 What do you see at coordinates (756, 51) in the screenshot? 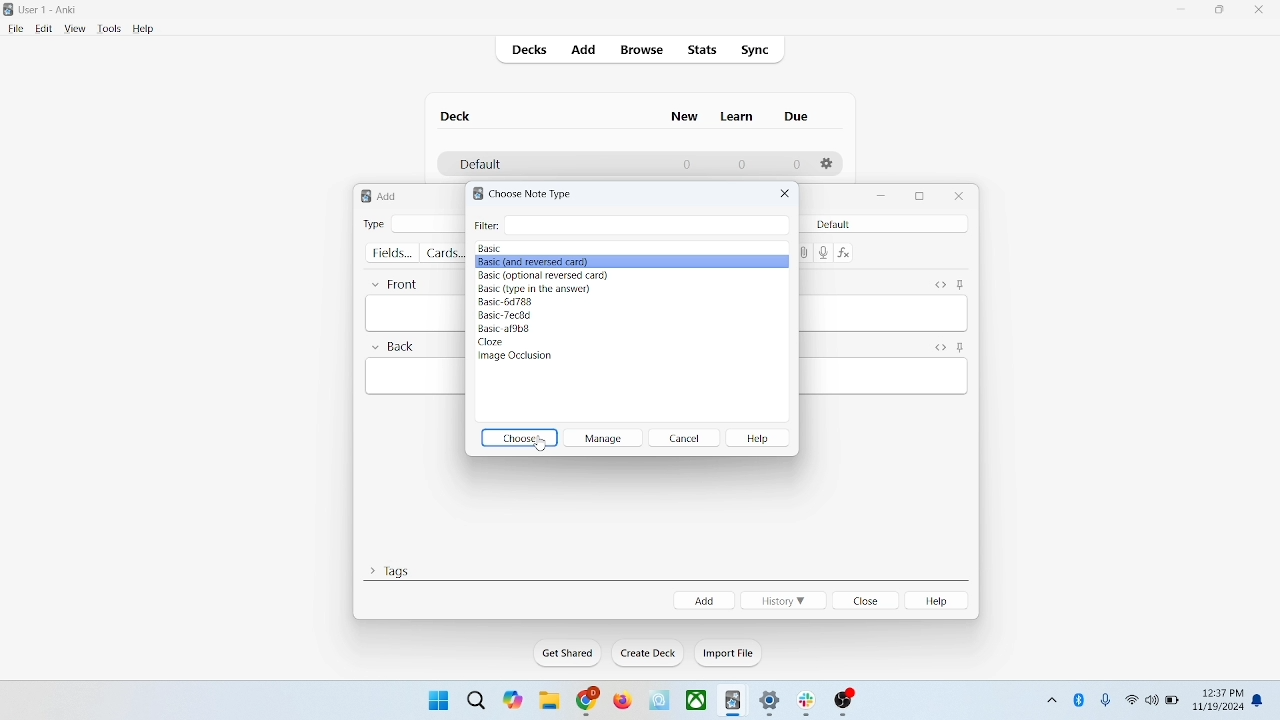
I see `sync` at bounding box center [756, 51].